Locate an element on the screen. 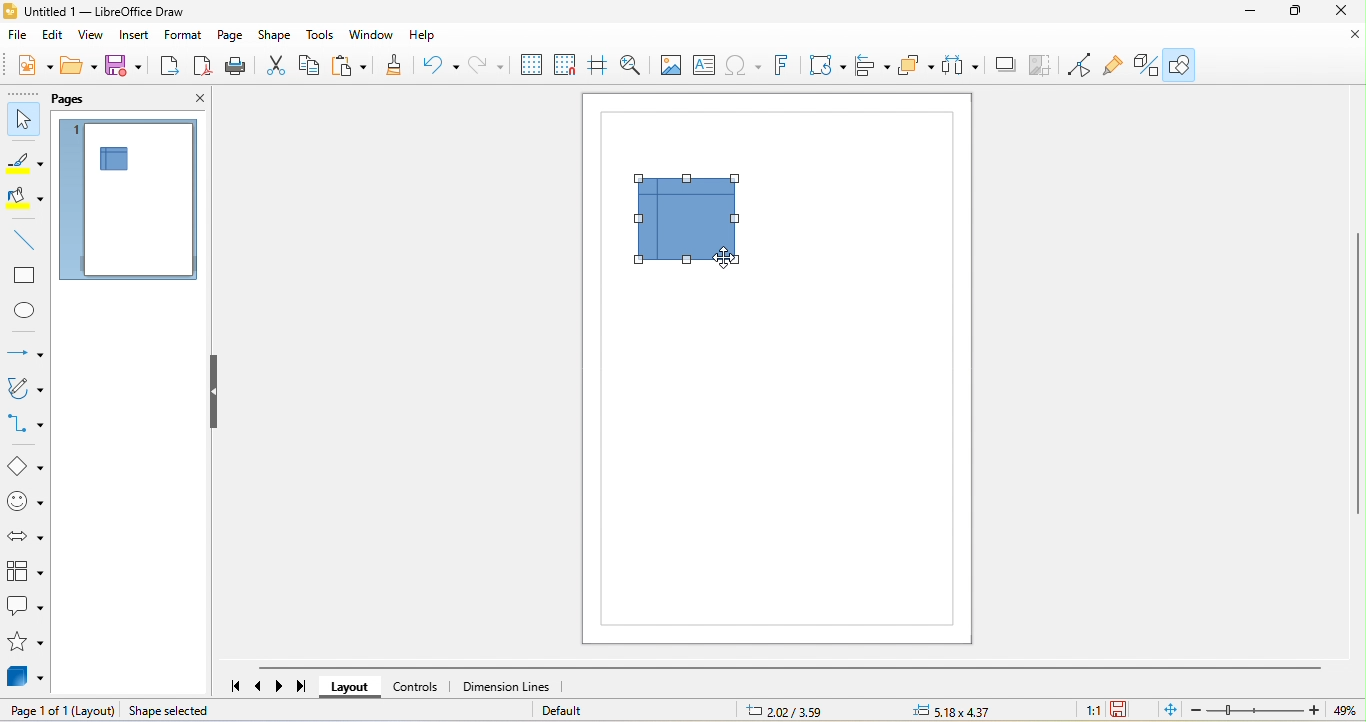 The height and width of the screenshot is (722, 1366). copy is located at coordinates (310, 68).